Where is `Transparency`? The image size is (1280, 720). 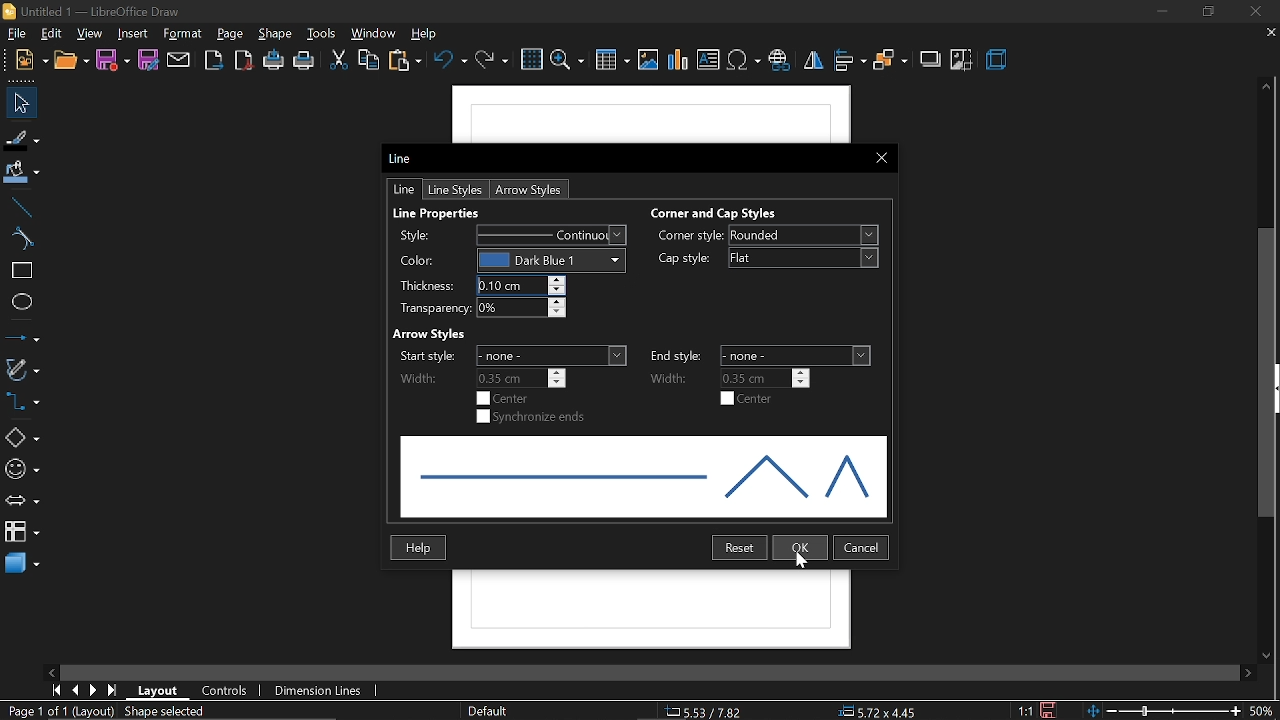 Transparency is located at coordinates (427, 309).